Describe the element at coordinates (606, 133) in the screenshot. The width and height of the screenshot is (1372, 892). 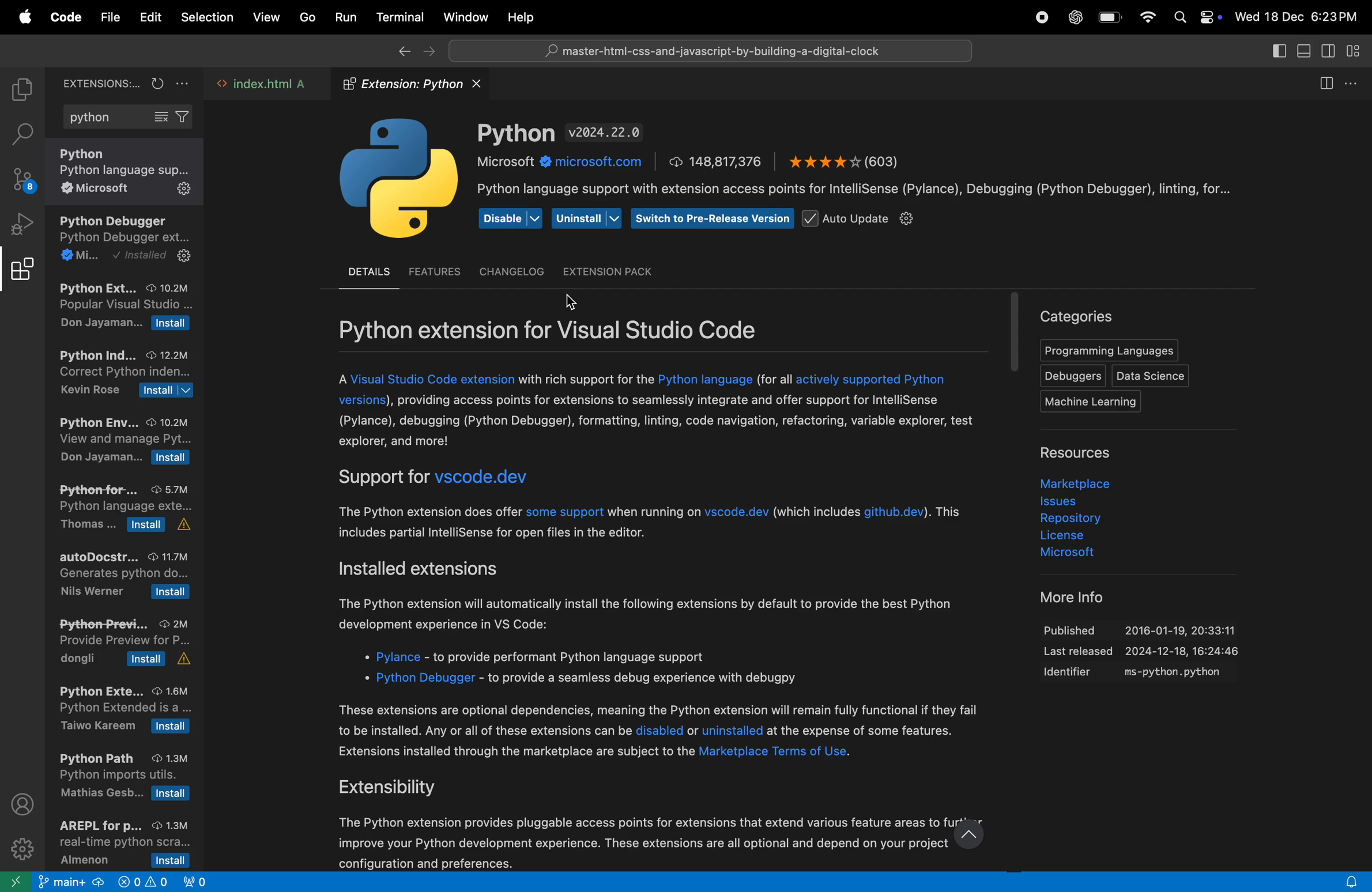
I see `v 2024` at that location.